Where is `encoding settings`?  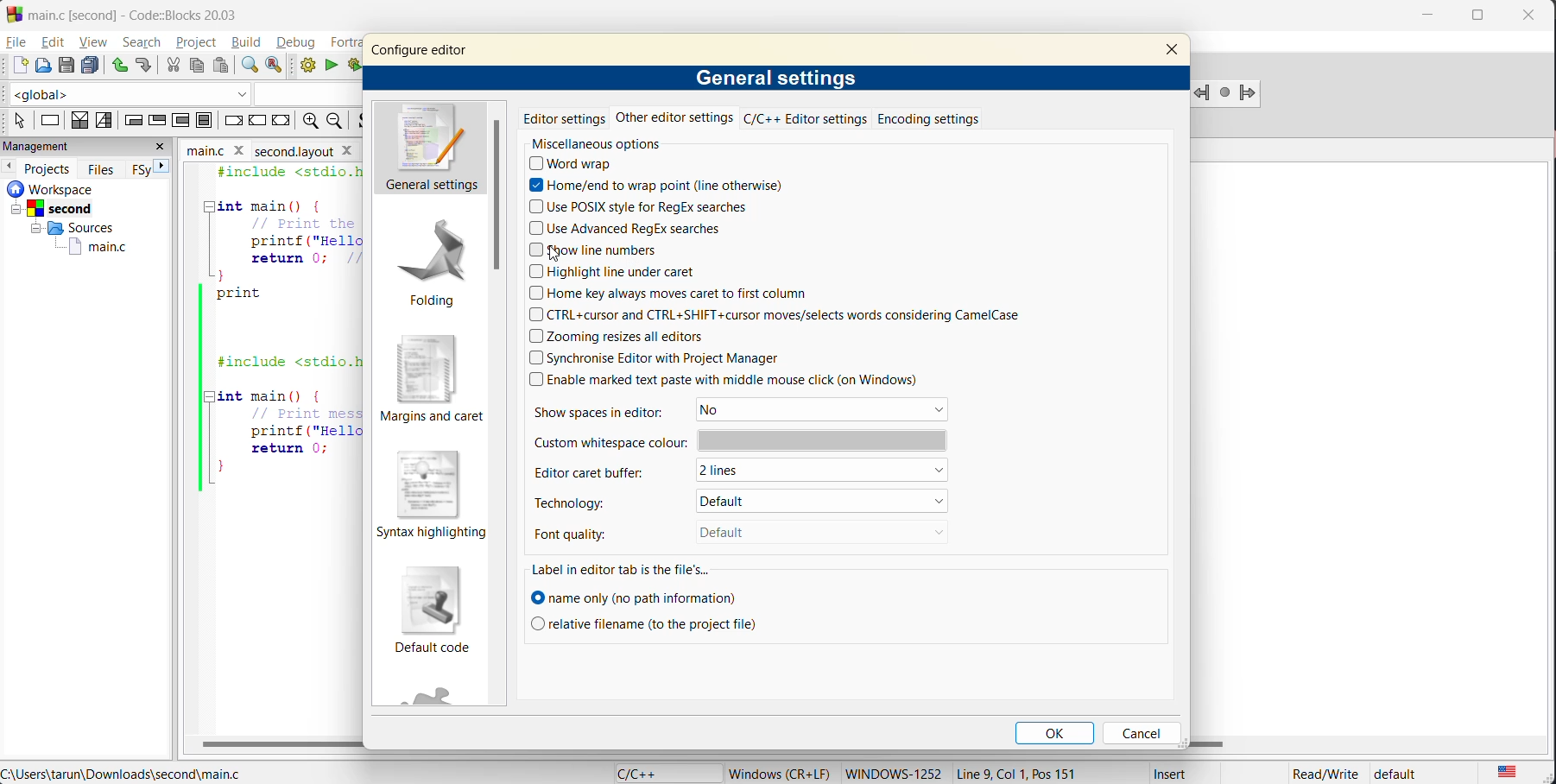
encoding settings is located at coordinates (932, 120).